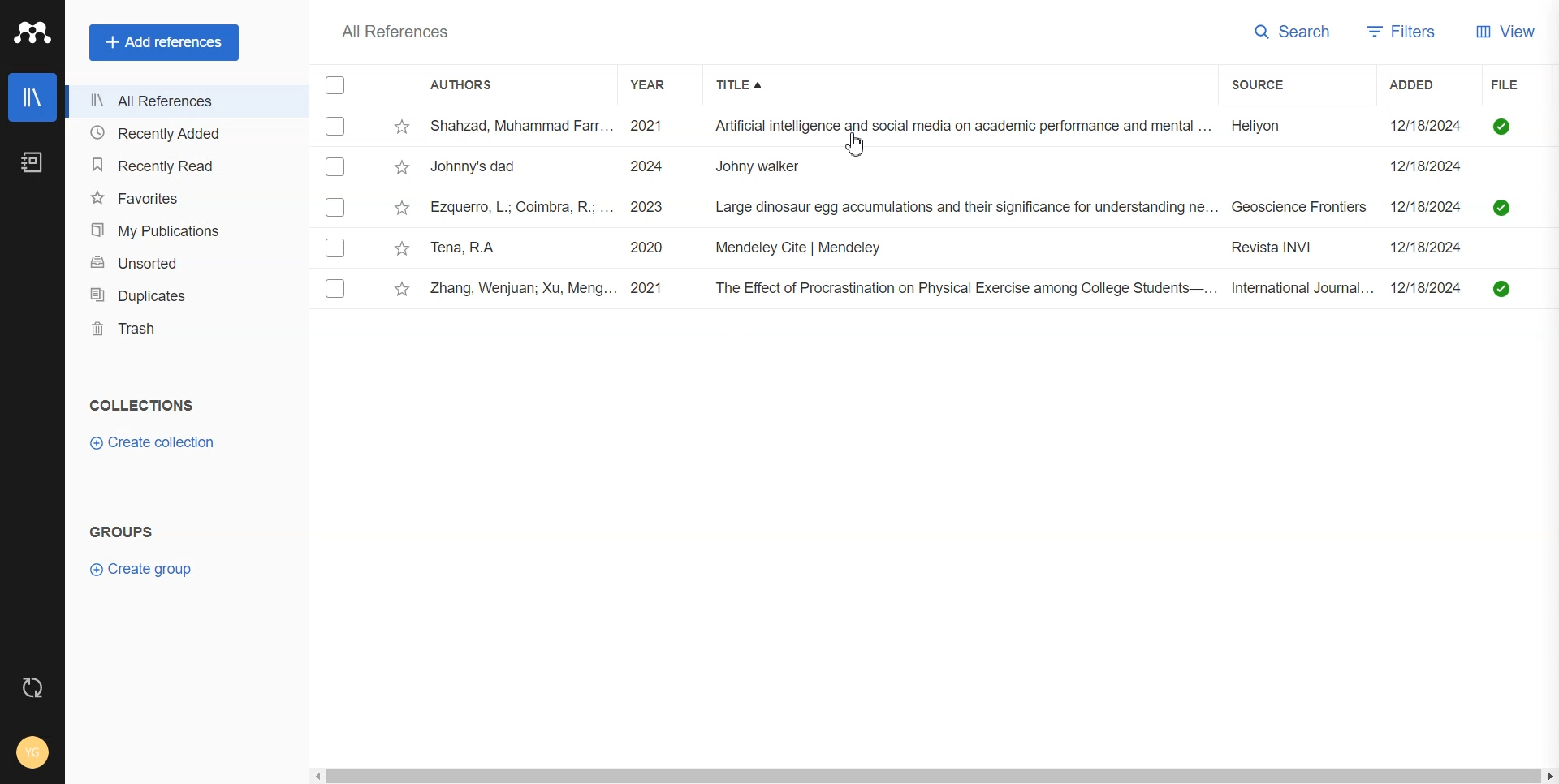 This screenshot has height=784, width=1559. I want to click on All References, so click(409, 31).